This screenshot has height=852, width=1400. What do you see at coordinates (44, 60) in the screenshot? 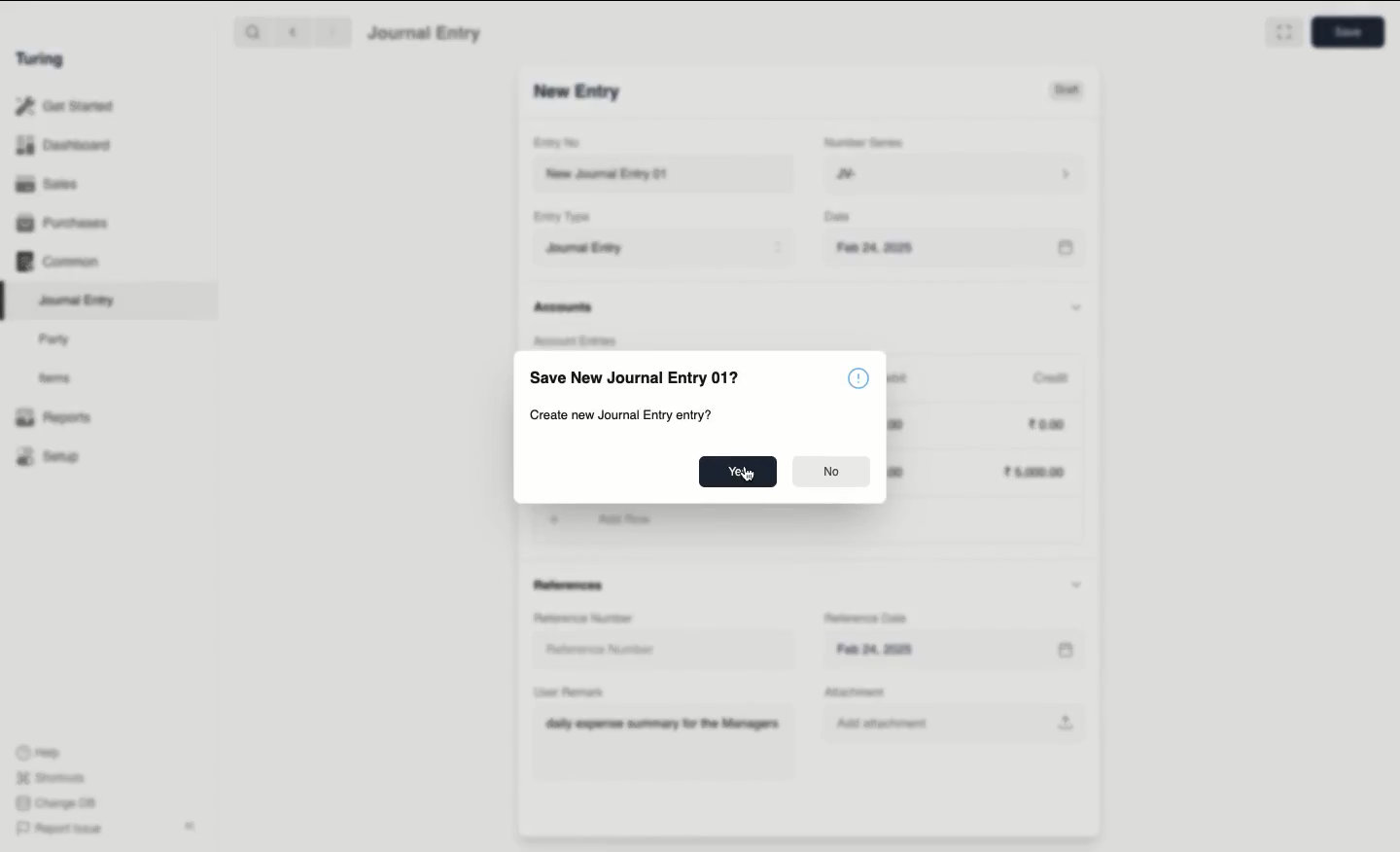
I see `Turing` at bounding box center [44, 60].